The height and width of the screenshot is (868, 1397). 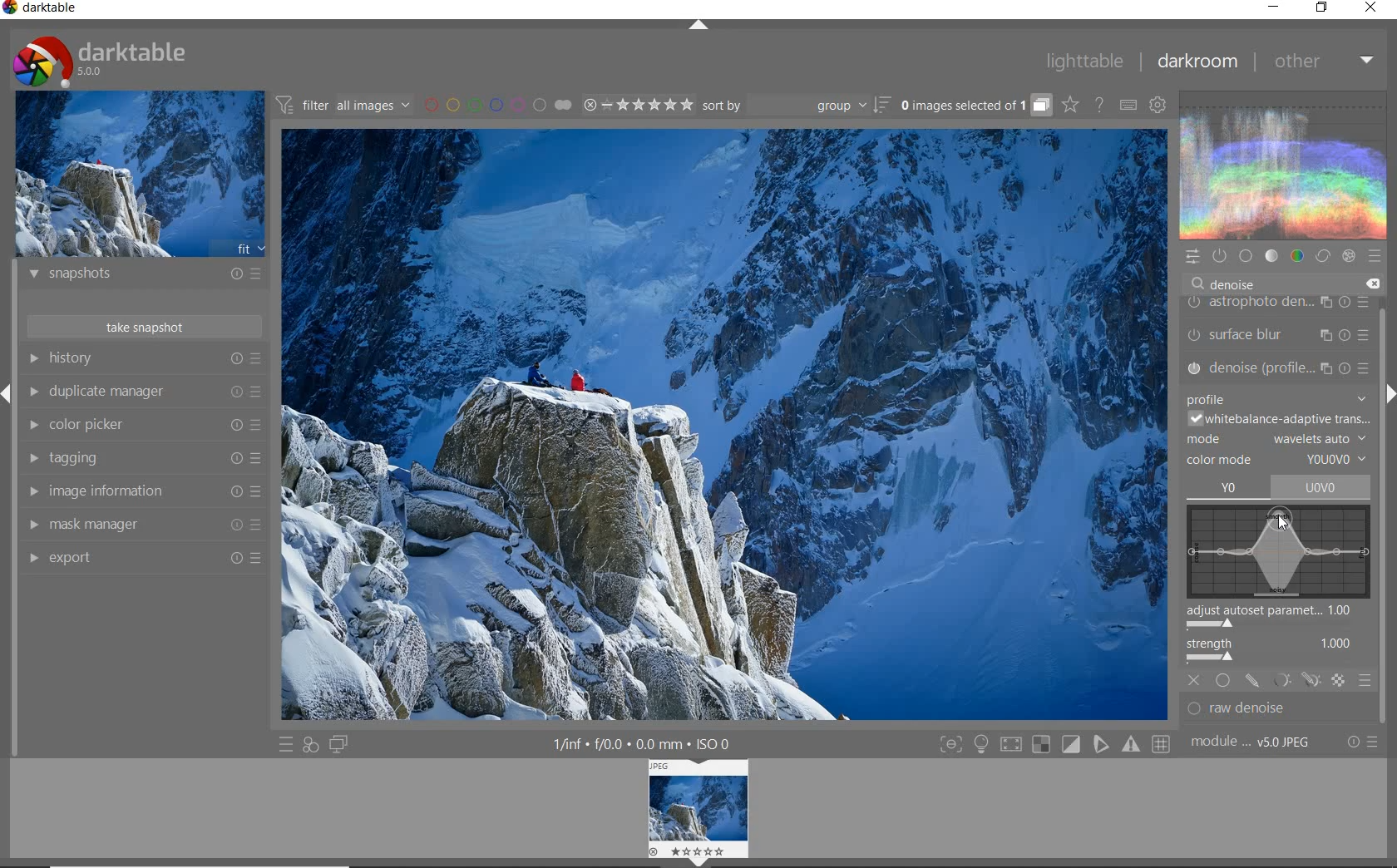 What do you see at coordinates (1277, 437) in the screenshot?
I see `MODE` at bounding box center [1277, 437].